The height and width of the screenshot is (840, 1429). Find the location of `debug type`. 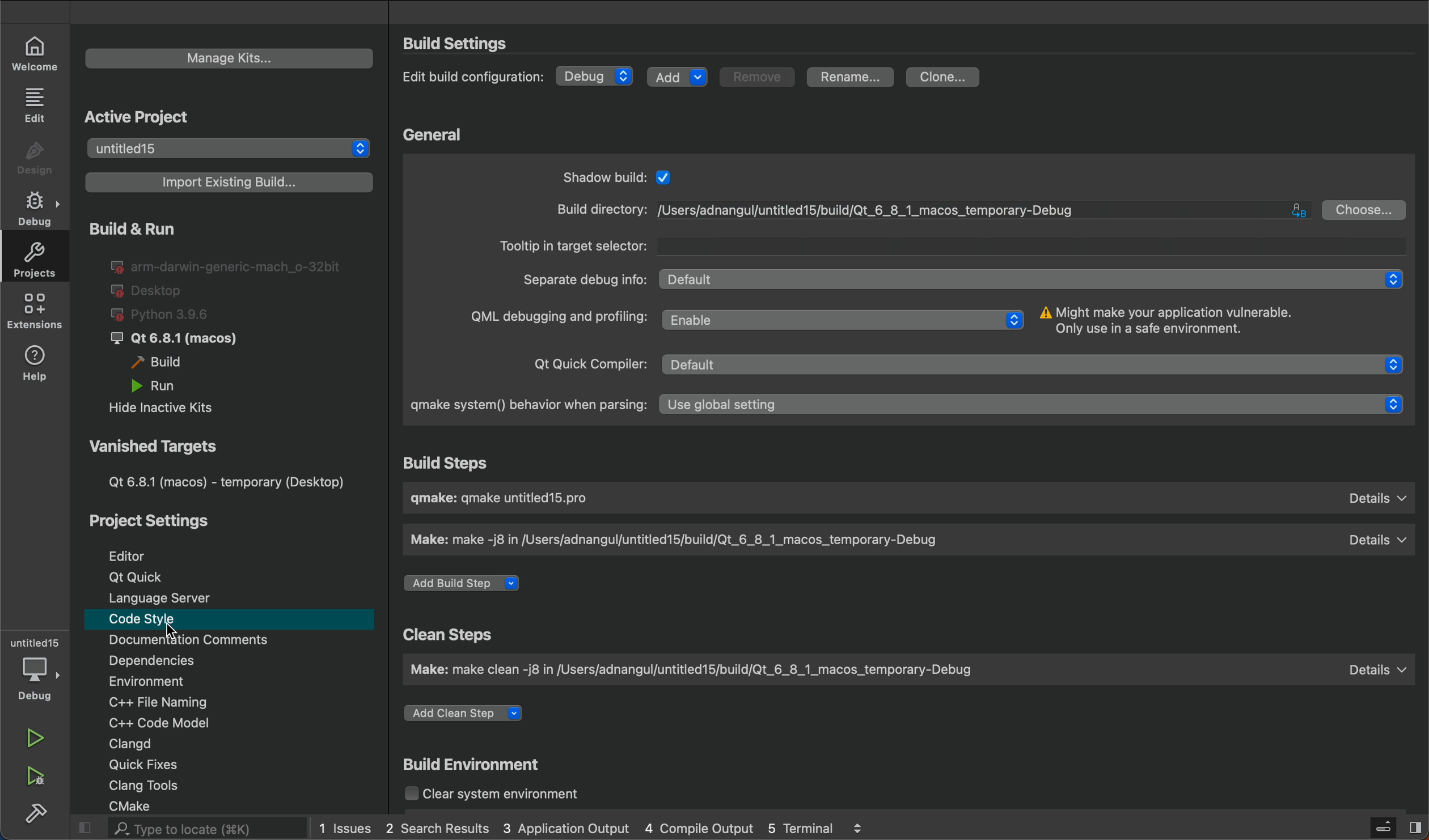

debug type is located at coordinates (911, 538).